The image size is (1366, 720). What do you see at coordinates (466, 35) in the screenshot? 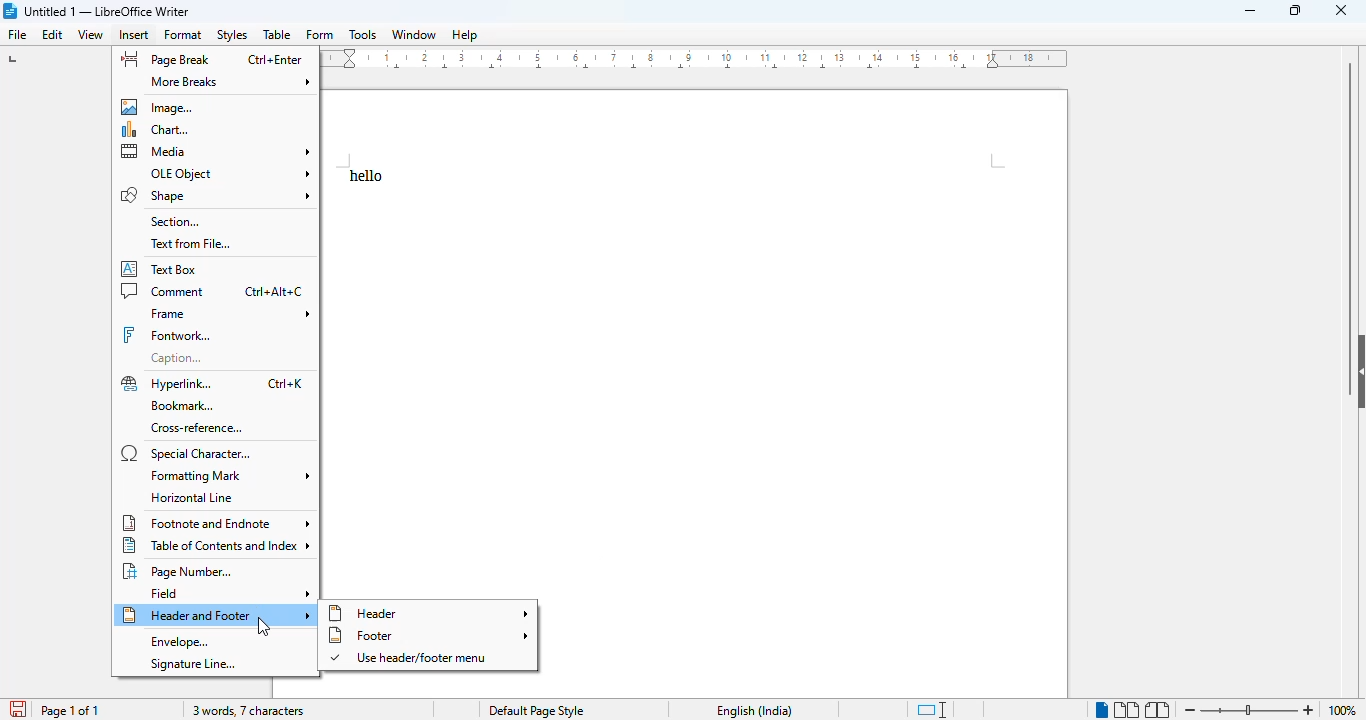
I see `help` at bounding box center [466, 35].